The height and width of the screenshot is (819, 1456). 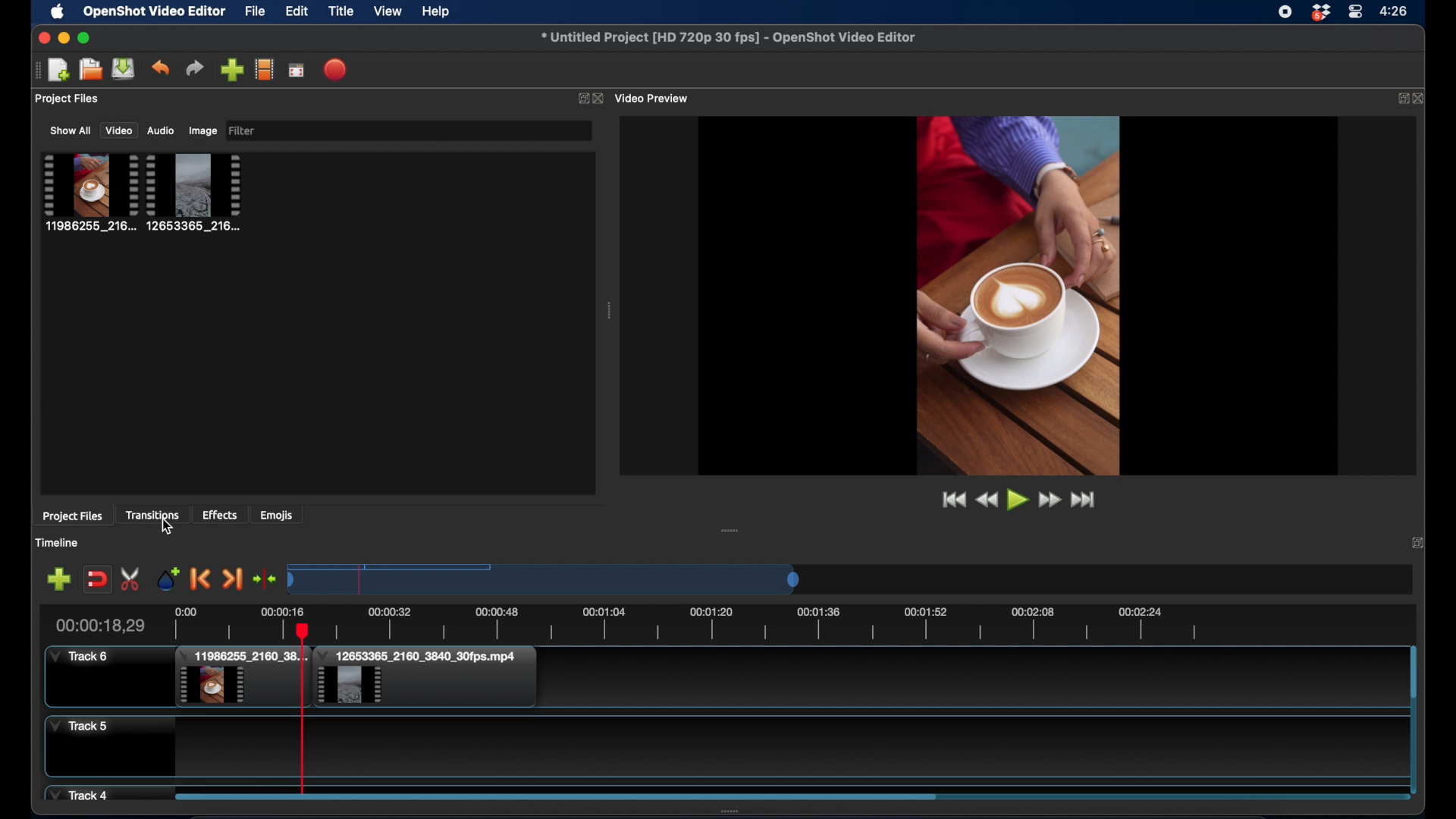 I want to click on jump to start, so click(x=951, y=499).